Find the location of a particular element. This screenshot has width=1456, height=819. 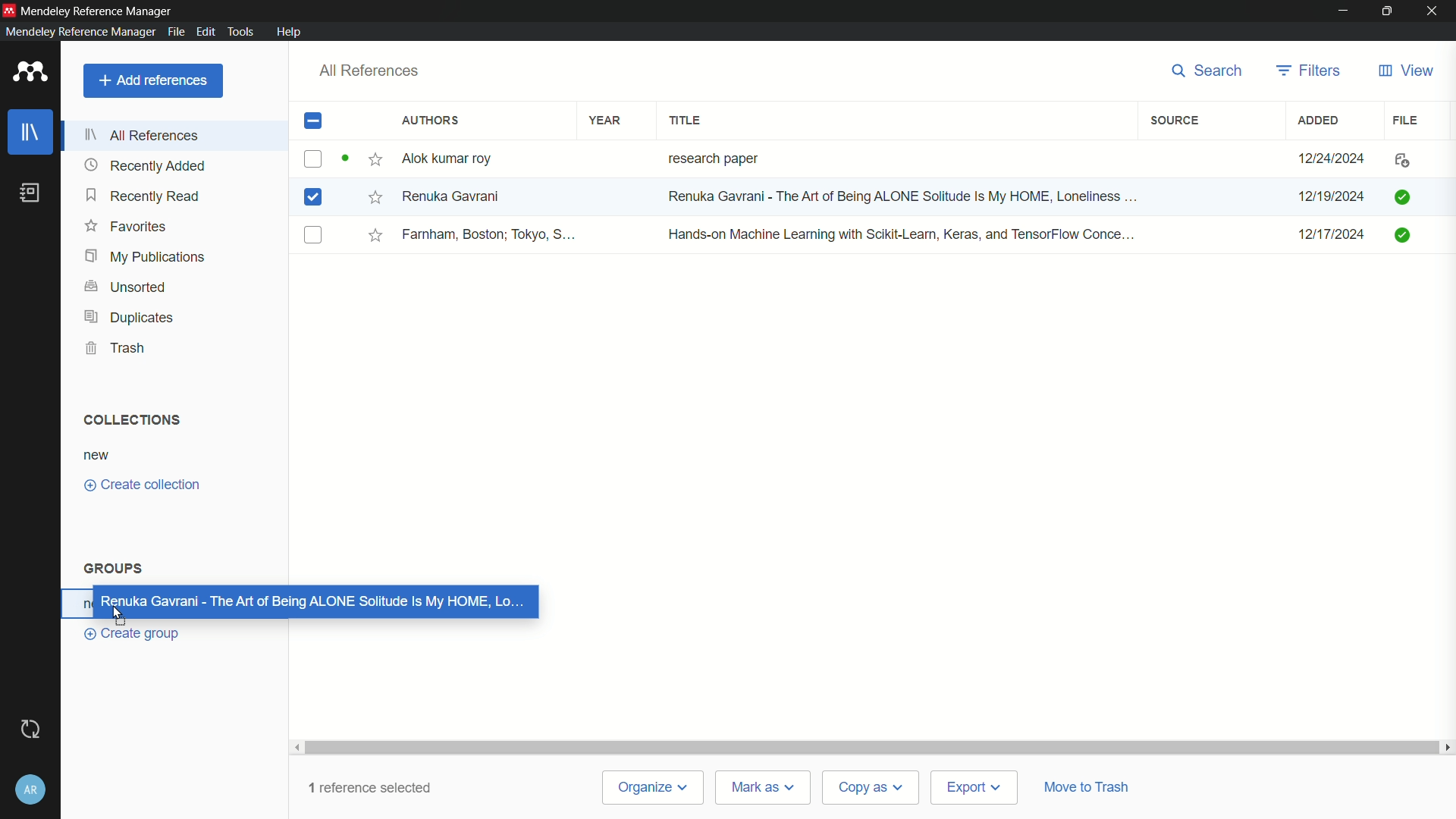

app icon is located at coordinates (27, 73).